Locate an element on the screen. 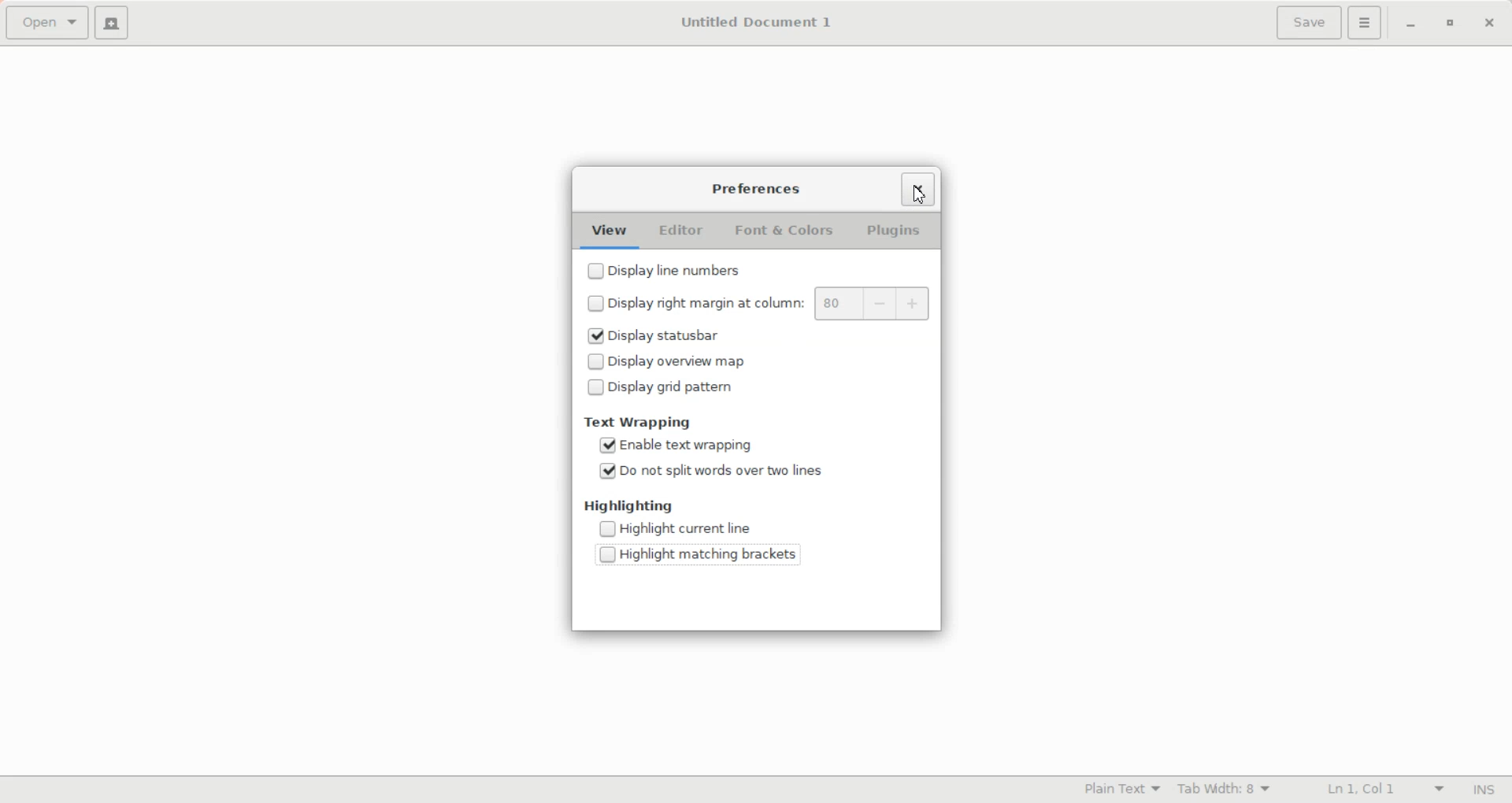 This screenshot has width=1512, height=803. (un)check Enable text wrapping is located at coordinates (706, 444).